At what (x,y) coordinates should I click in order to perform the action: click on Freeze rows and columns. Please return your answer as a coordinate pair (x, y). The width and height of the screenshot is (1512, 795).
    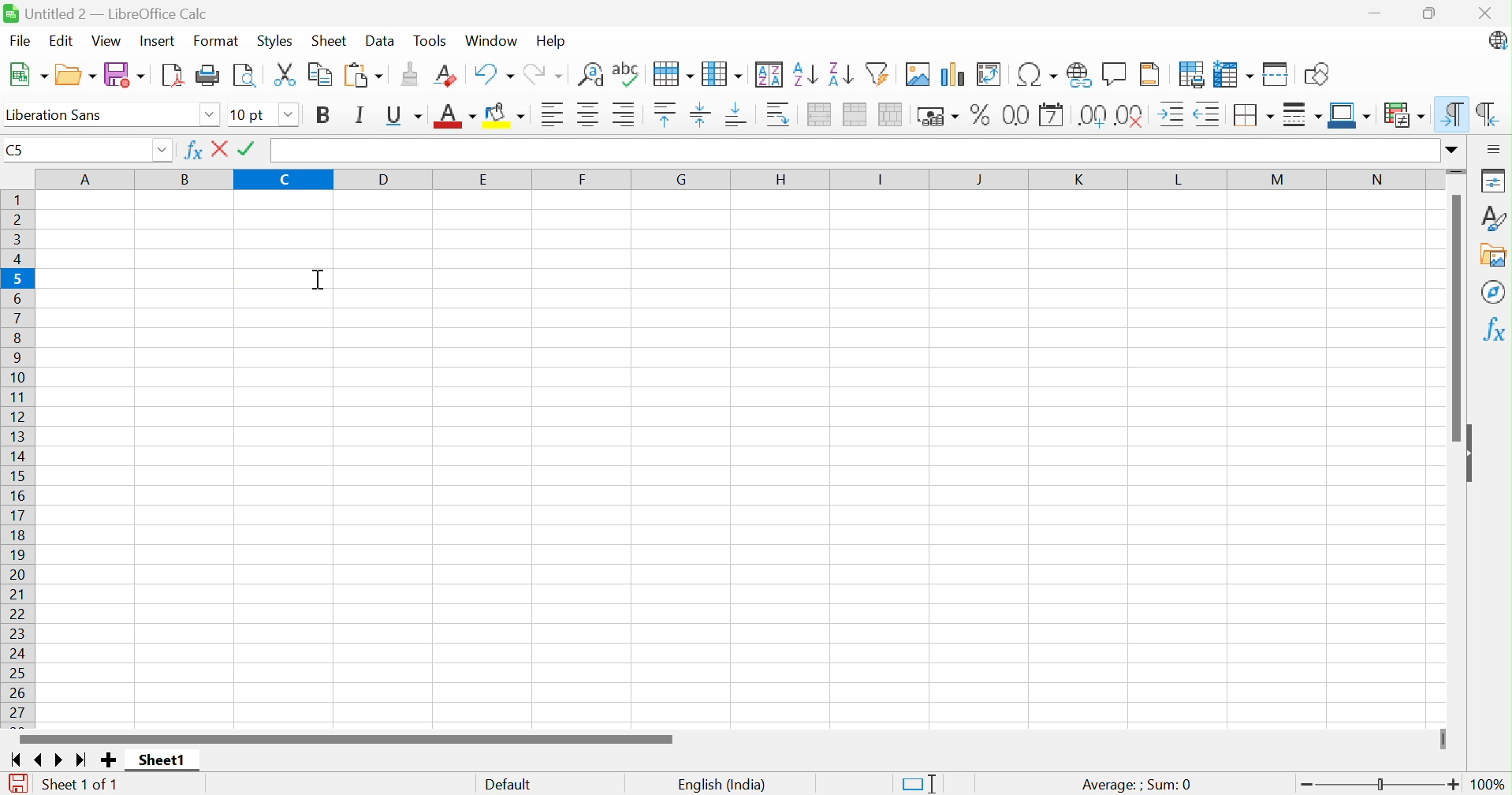
    Looking at the image, I should click on (1232, 76).